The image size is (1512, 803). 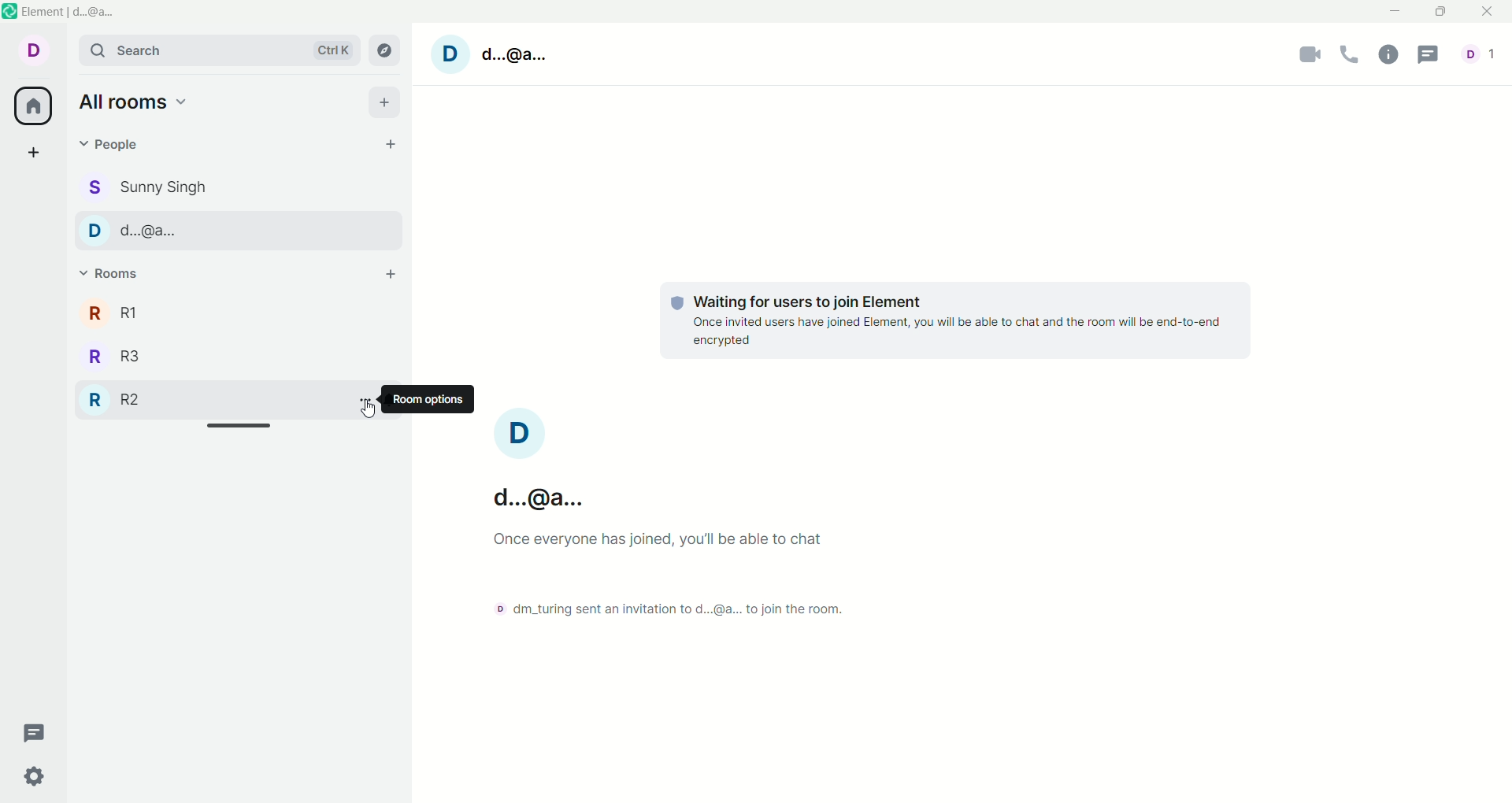 I want to click on CURSOR, so click(x=370, y=416).